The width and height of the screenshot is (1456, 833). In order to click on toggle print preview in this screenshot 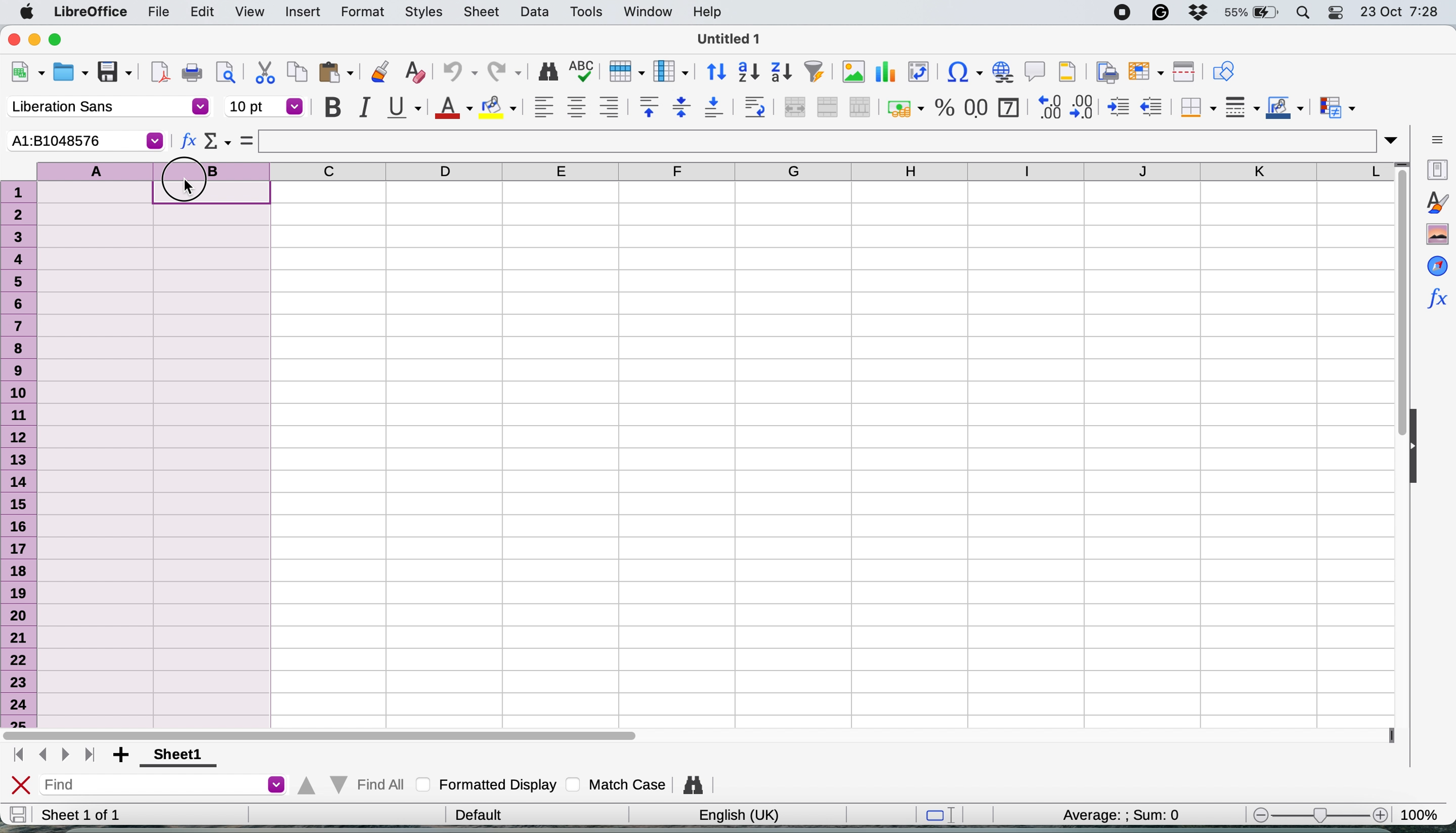, I will do `click(228, 73)`.